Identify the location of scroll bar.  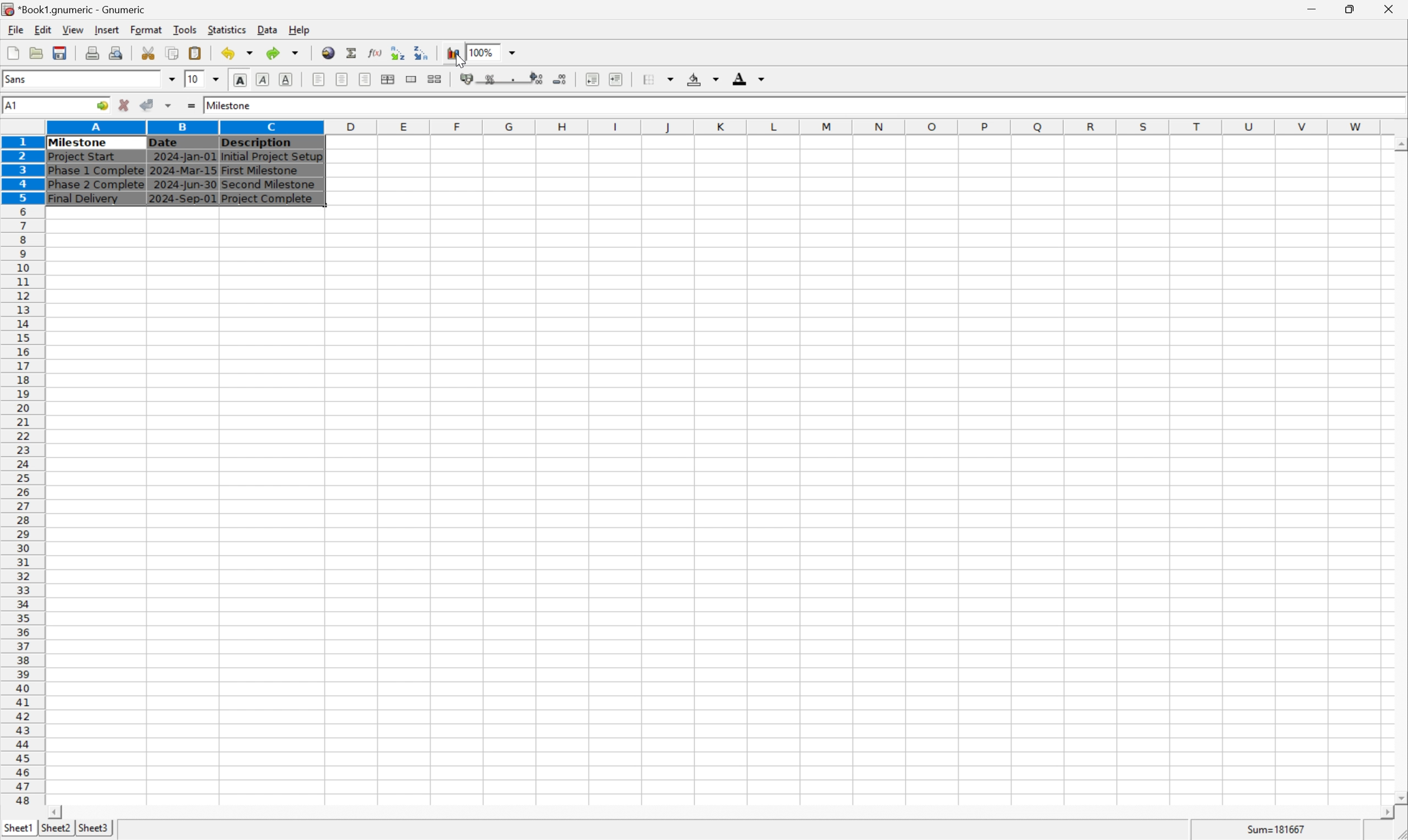
(1399, 470).